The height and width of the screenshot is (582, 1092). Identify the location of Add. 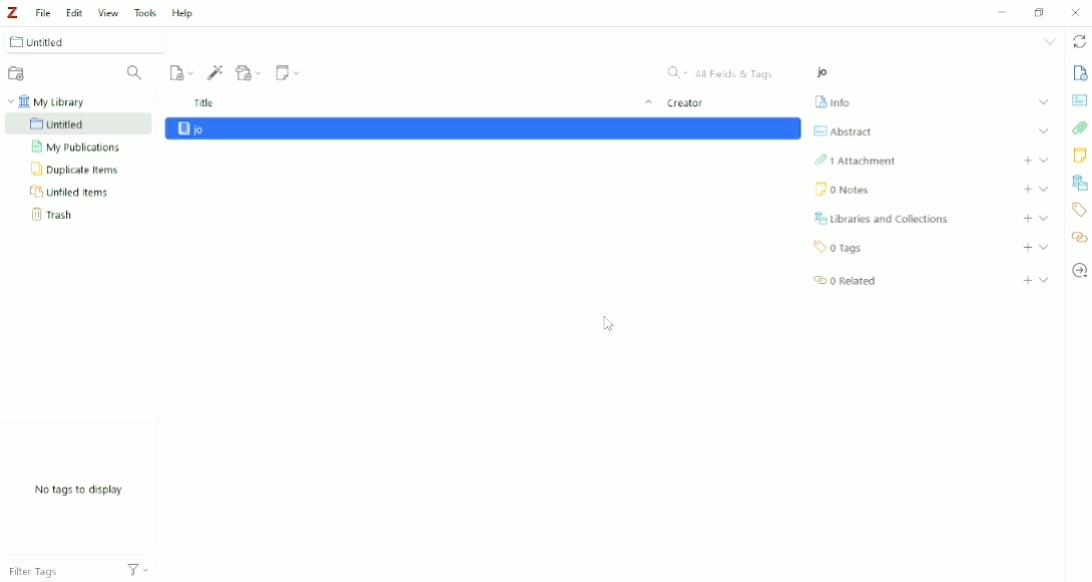
(1026, 160).